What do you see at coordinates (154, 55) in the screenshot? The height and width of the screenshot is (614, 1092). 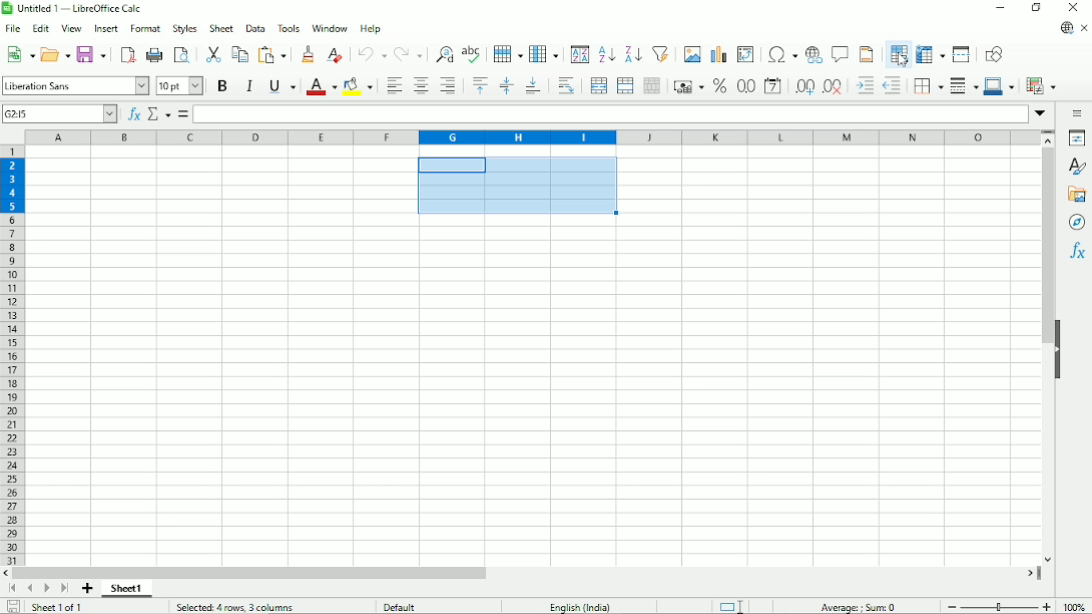 I see `Print` at bounding box center [154, 55].